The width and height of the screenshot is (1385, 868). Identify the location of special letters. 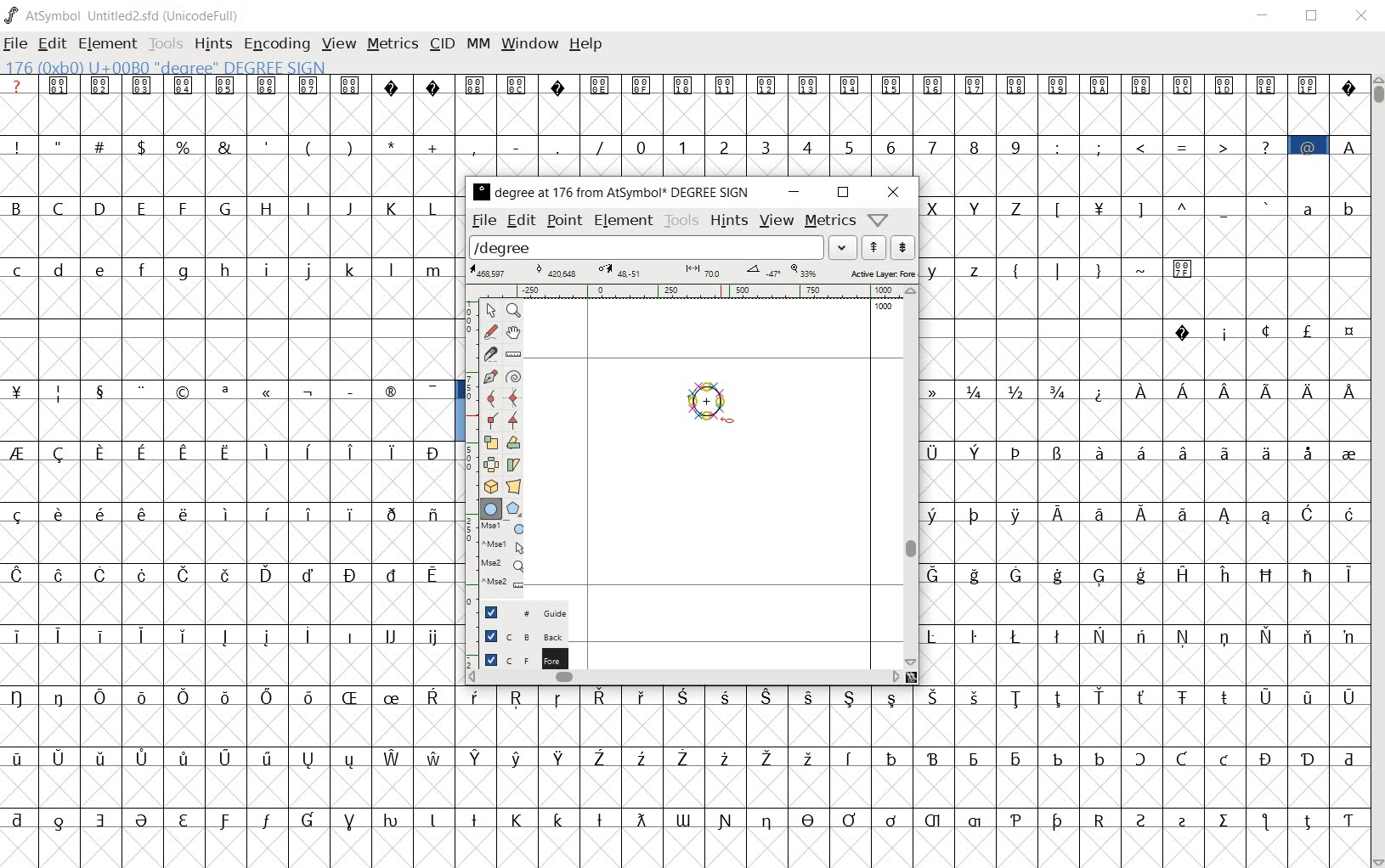
(227, 695).